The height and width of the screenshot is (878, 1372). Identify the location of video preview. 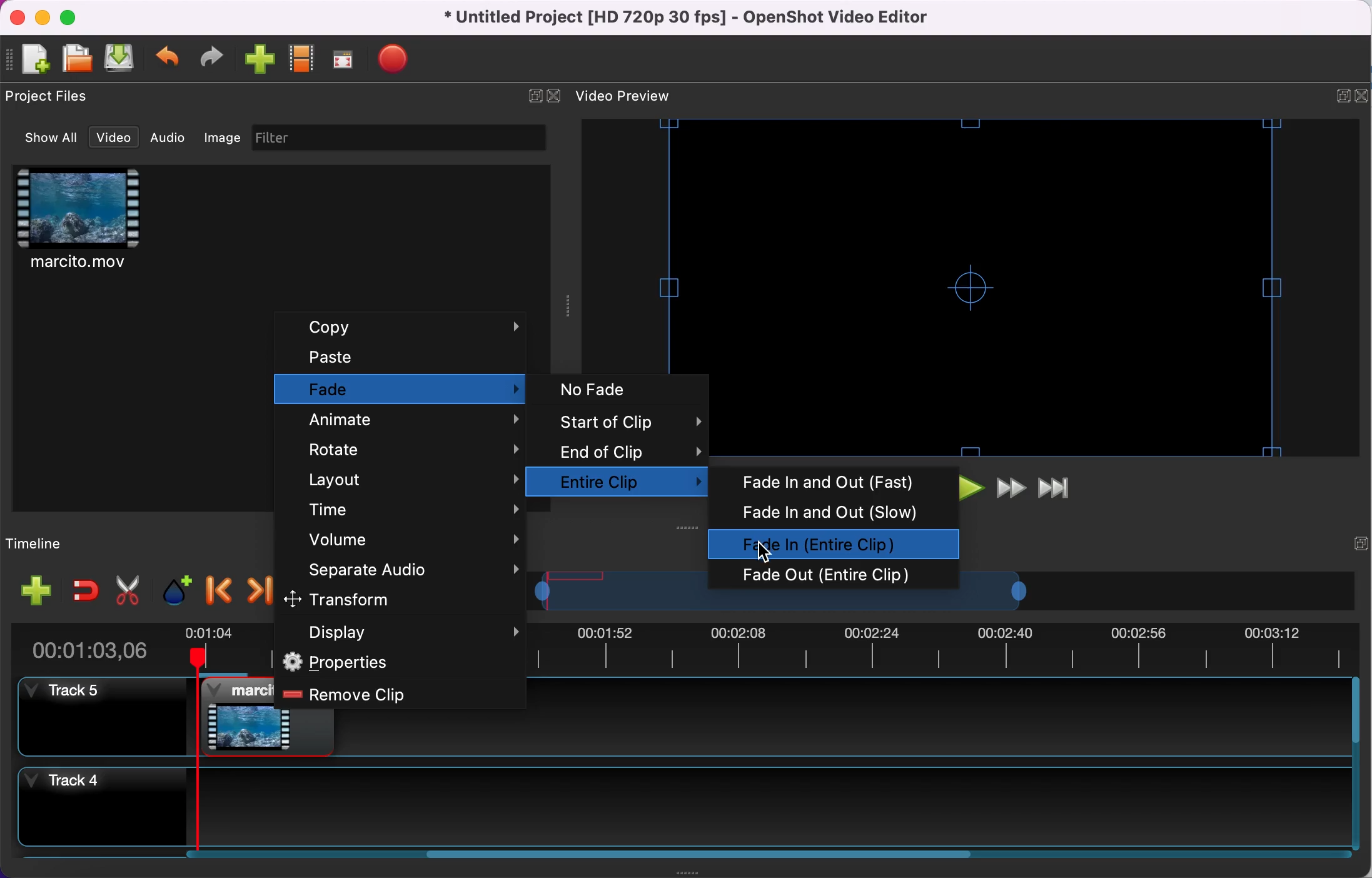
(1009, 288).